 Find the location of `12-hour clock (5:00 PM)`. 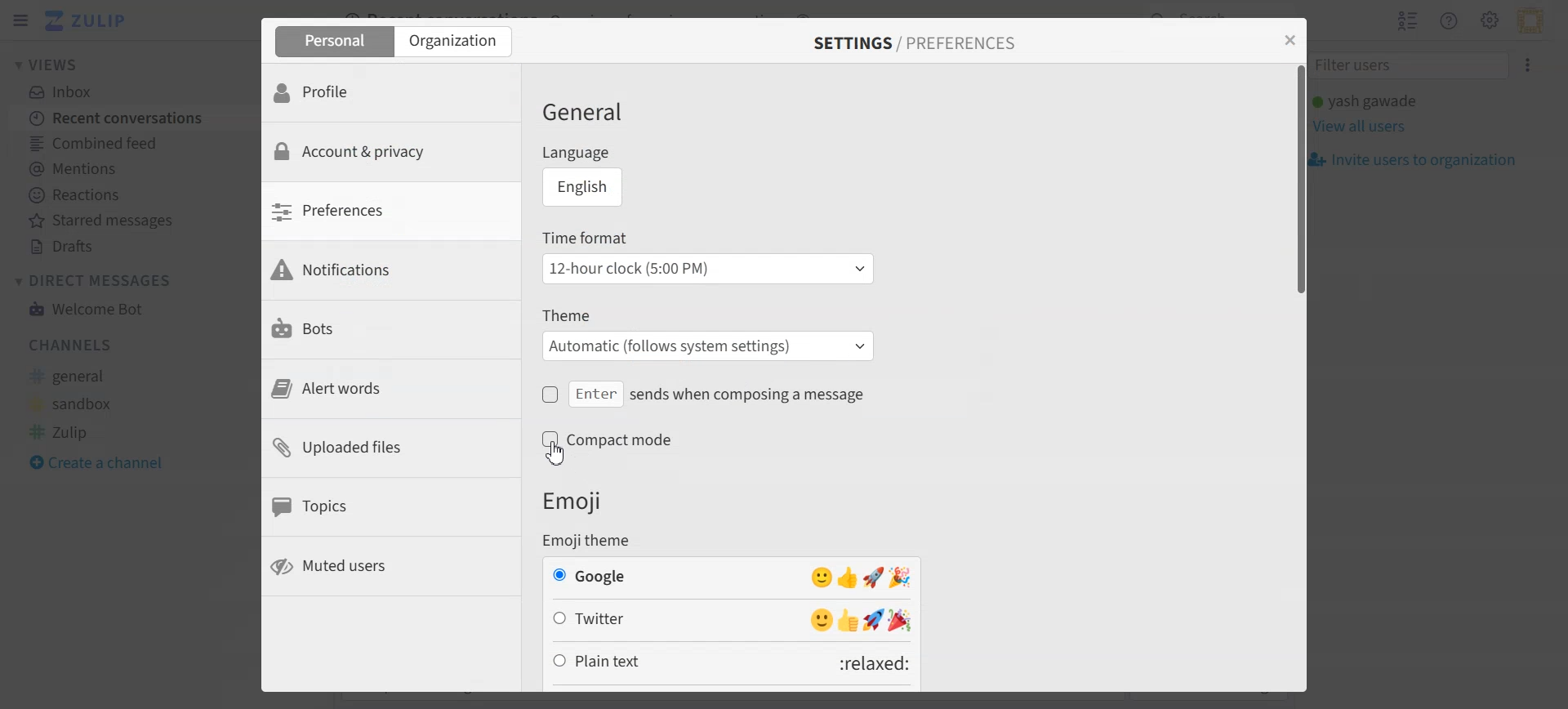

12-hour clock (5:00 PM) is located at coordinates (707, 268).